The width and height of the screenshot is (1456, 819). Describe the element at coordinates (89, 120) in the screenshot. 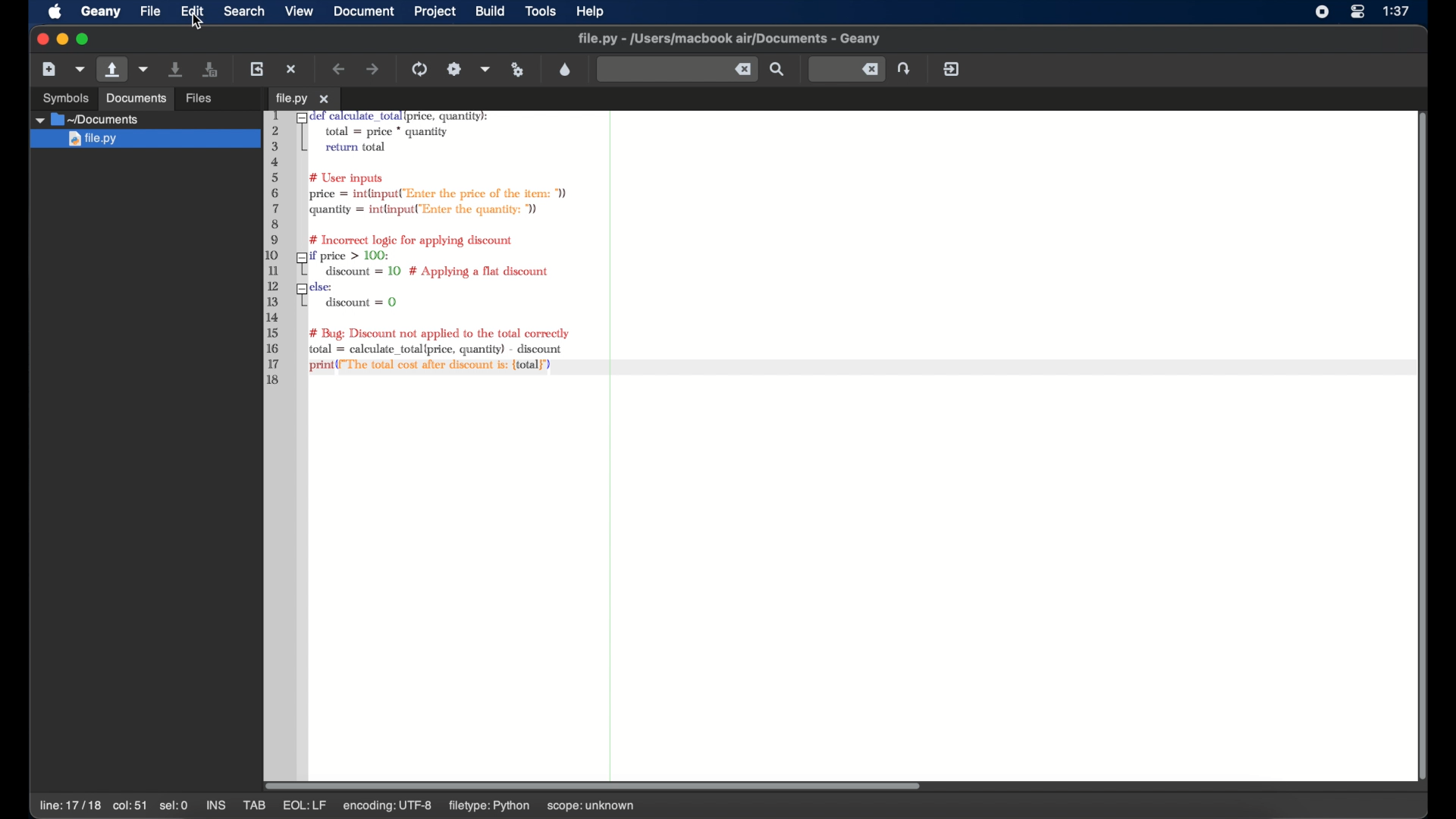

I see `documents` at that location.